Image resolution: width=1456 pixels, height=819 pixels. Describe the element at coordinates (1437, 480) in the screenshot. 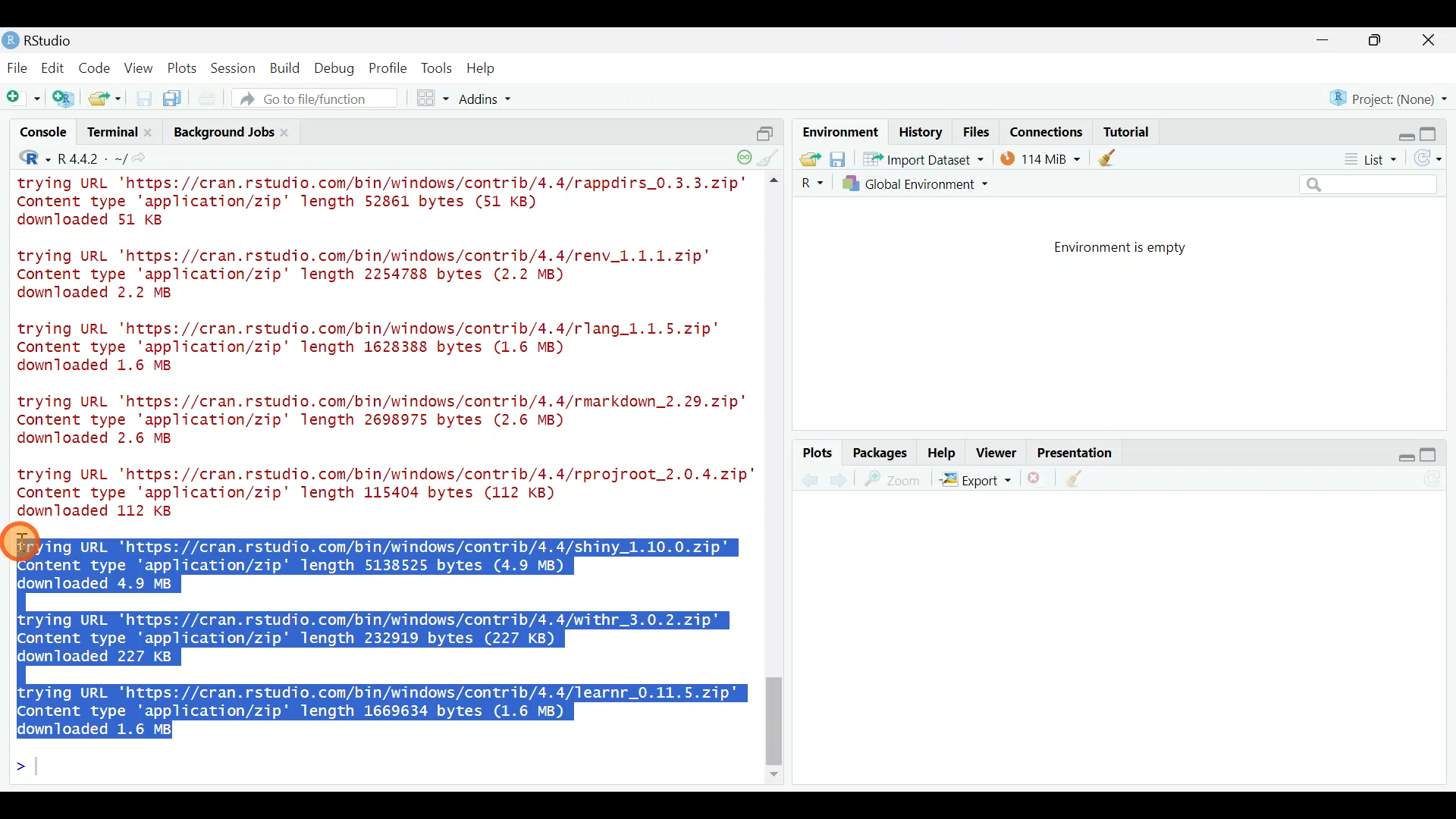

I see `Refresh current plot` at that location.